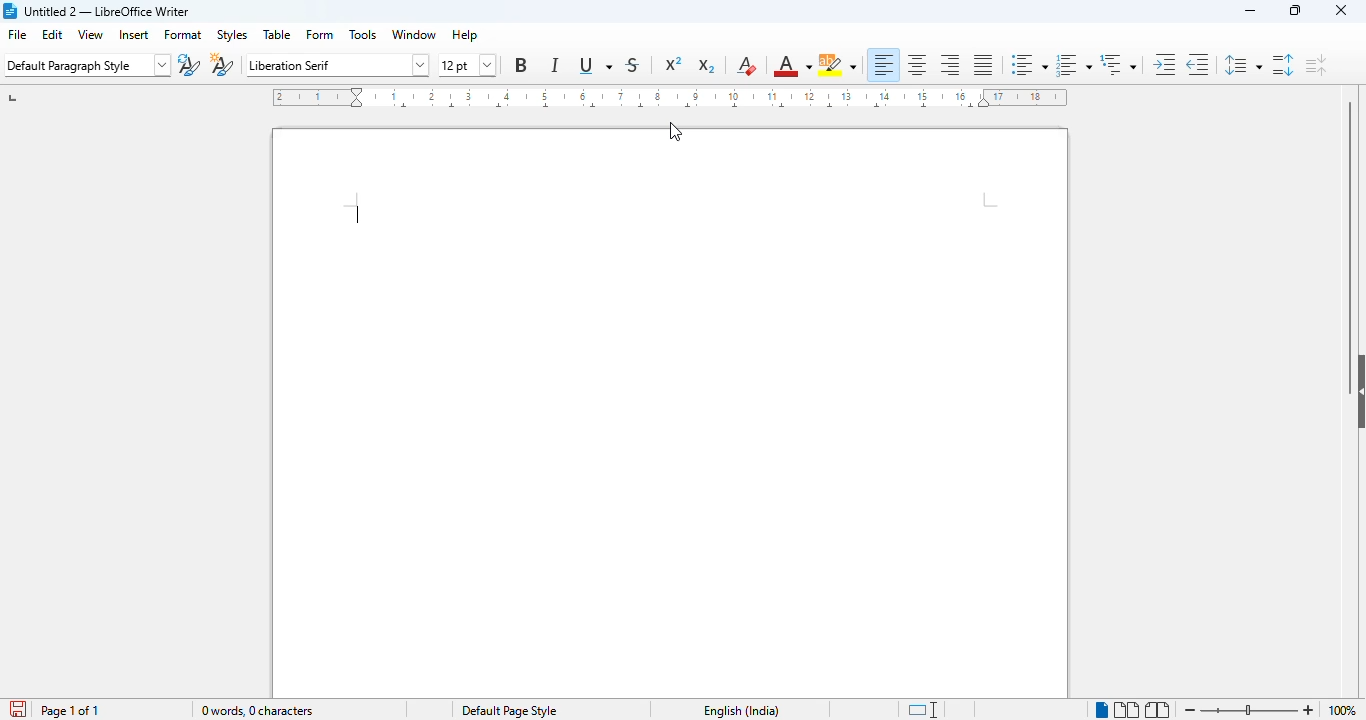 The image size is (1366, 720). What do you see at coordinates (672, 438) in the screenshot?
I see `workspace` at bounding box center [672, 438].